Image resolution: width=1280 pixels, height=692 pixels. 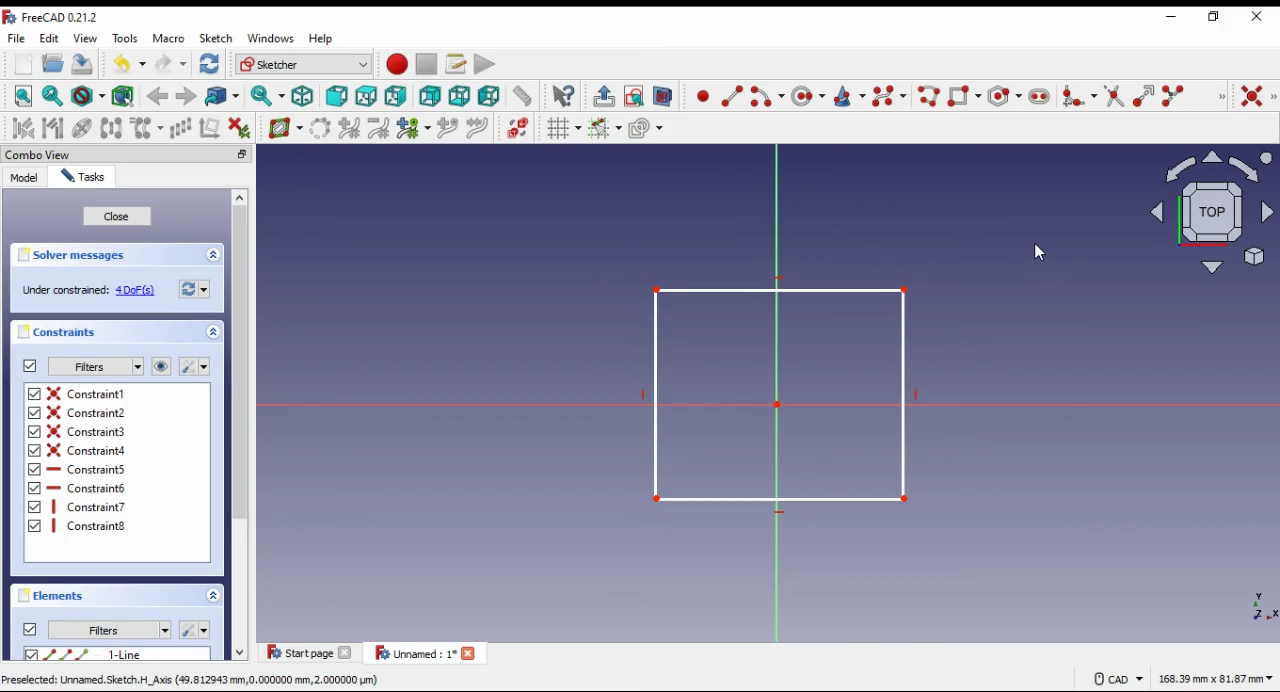 What do you see at coordinates (84, 176) in the screenshot?
I see `tasks` at bounding box center [84, 176].